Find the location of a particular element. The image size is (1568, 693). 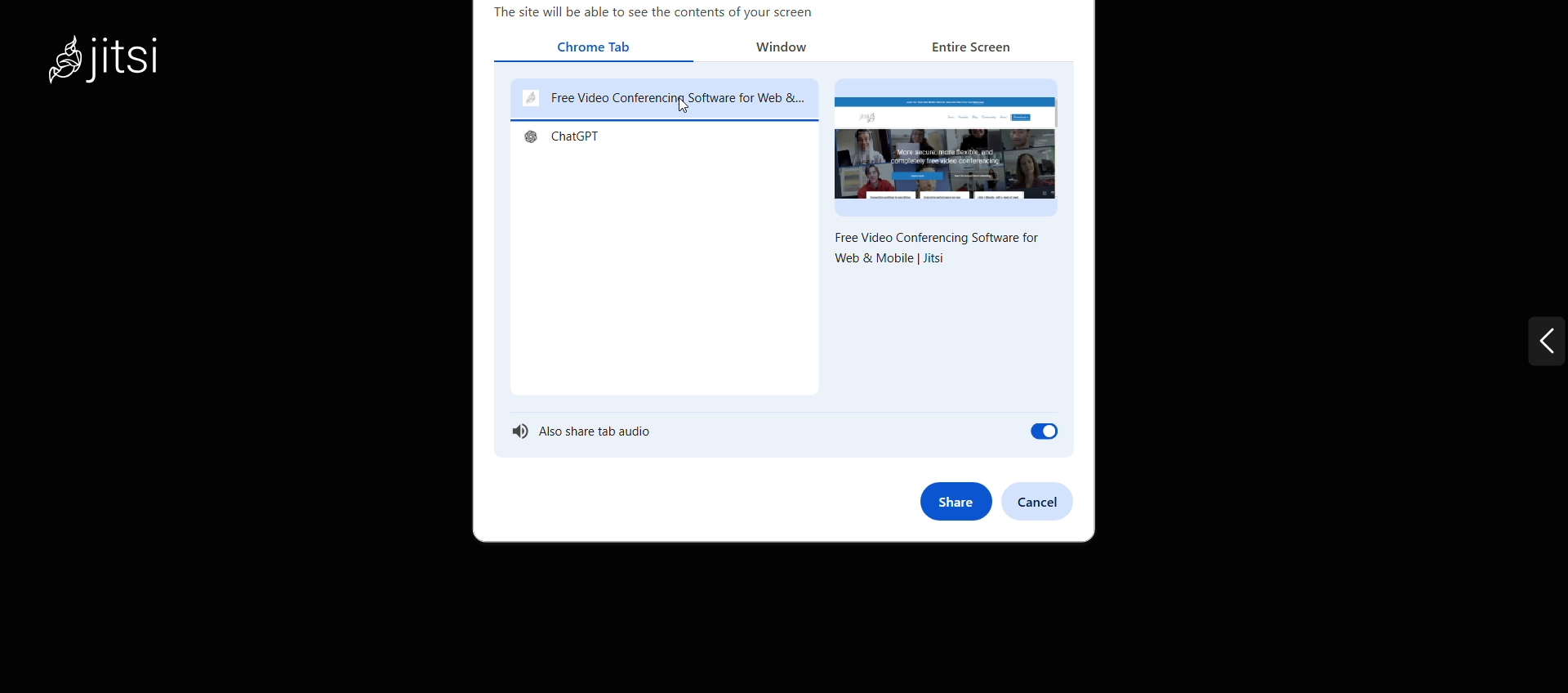

Free Video Conferencing Software for Web &... is located at coordinates (663, 99).